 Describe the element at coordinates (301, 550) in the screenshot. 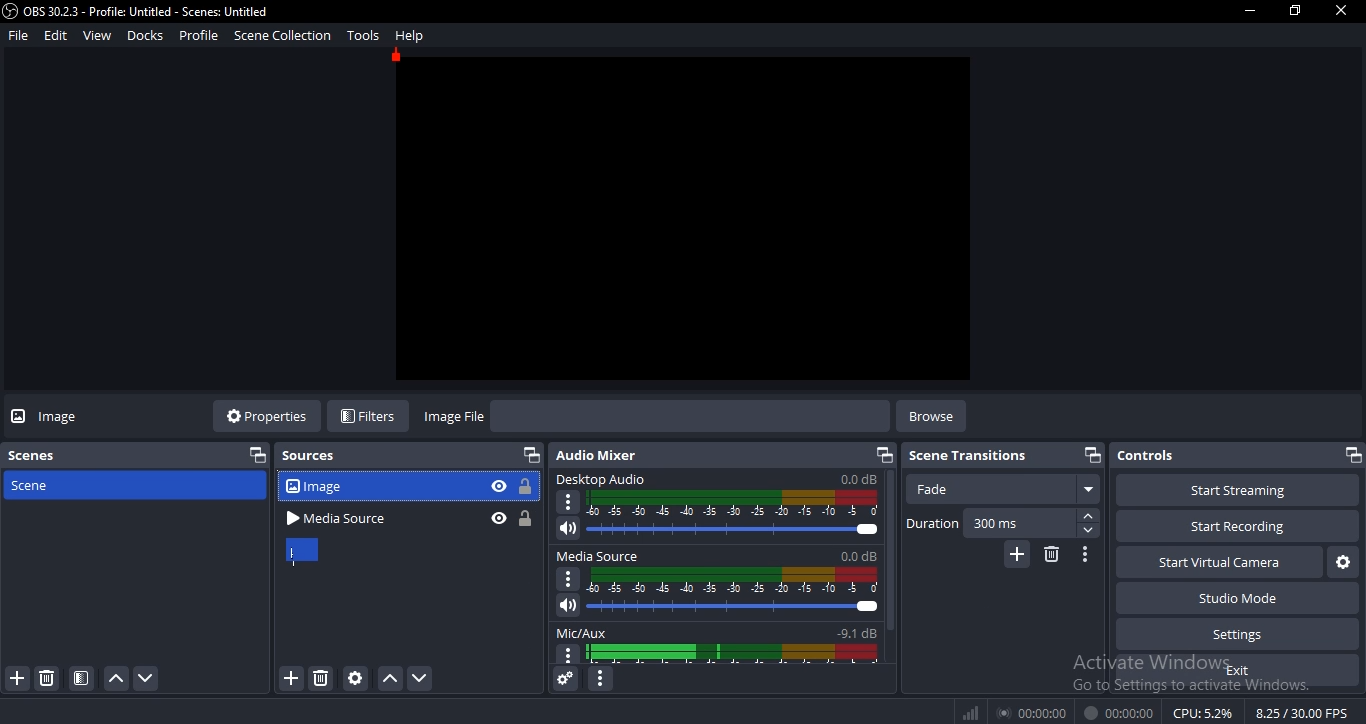

I see `cursor` at that location.